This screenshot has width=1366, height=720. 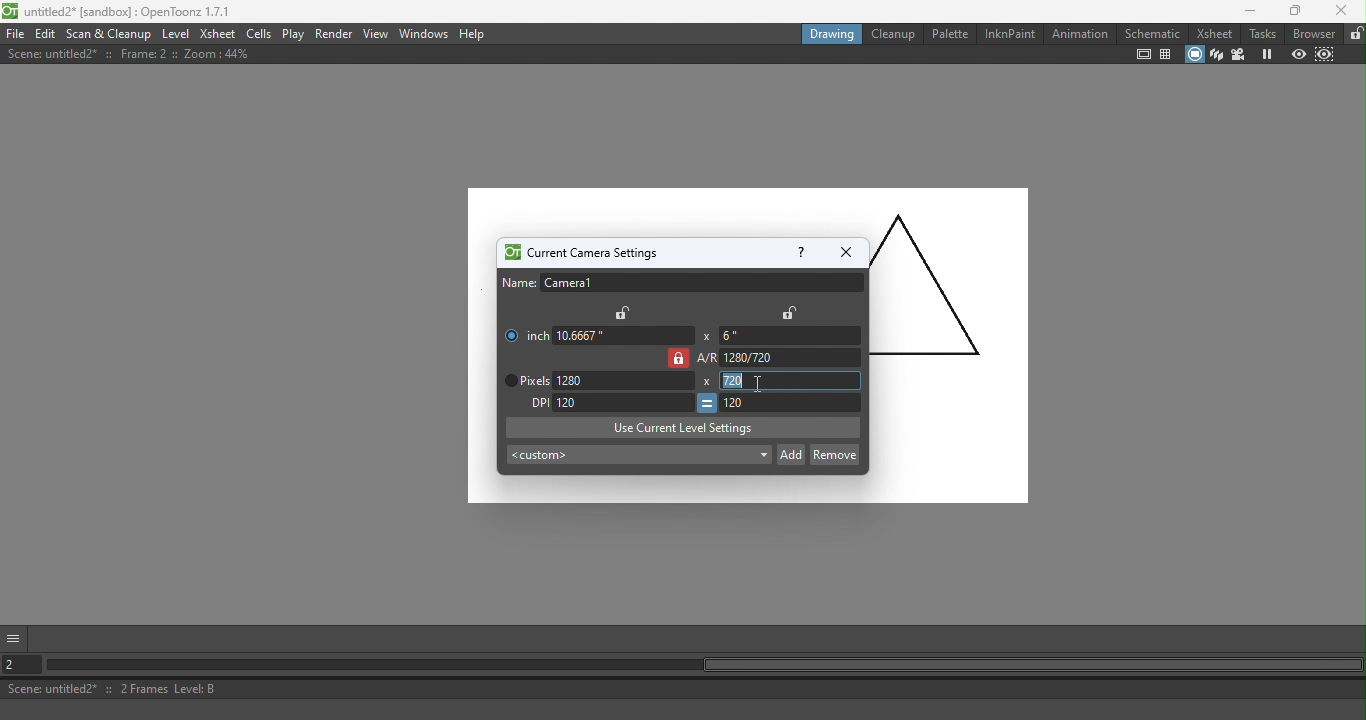 What do you see at coordinates (799, 251) in the screenshot?
I see `Help` at bounding box center [799, 251].